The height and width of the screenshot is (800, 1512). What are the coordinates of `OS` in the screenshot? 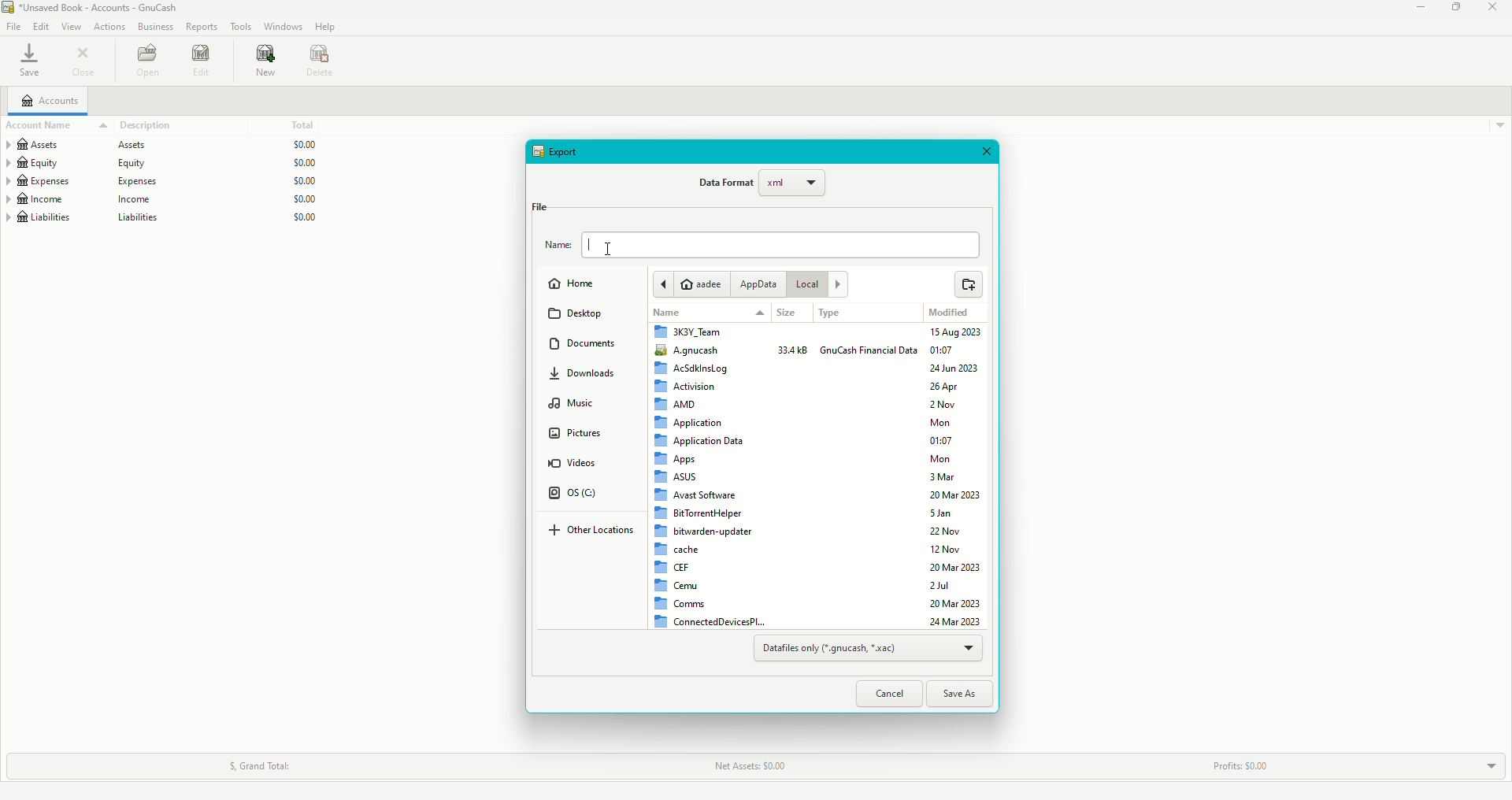 It's located at (578, 496).